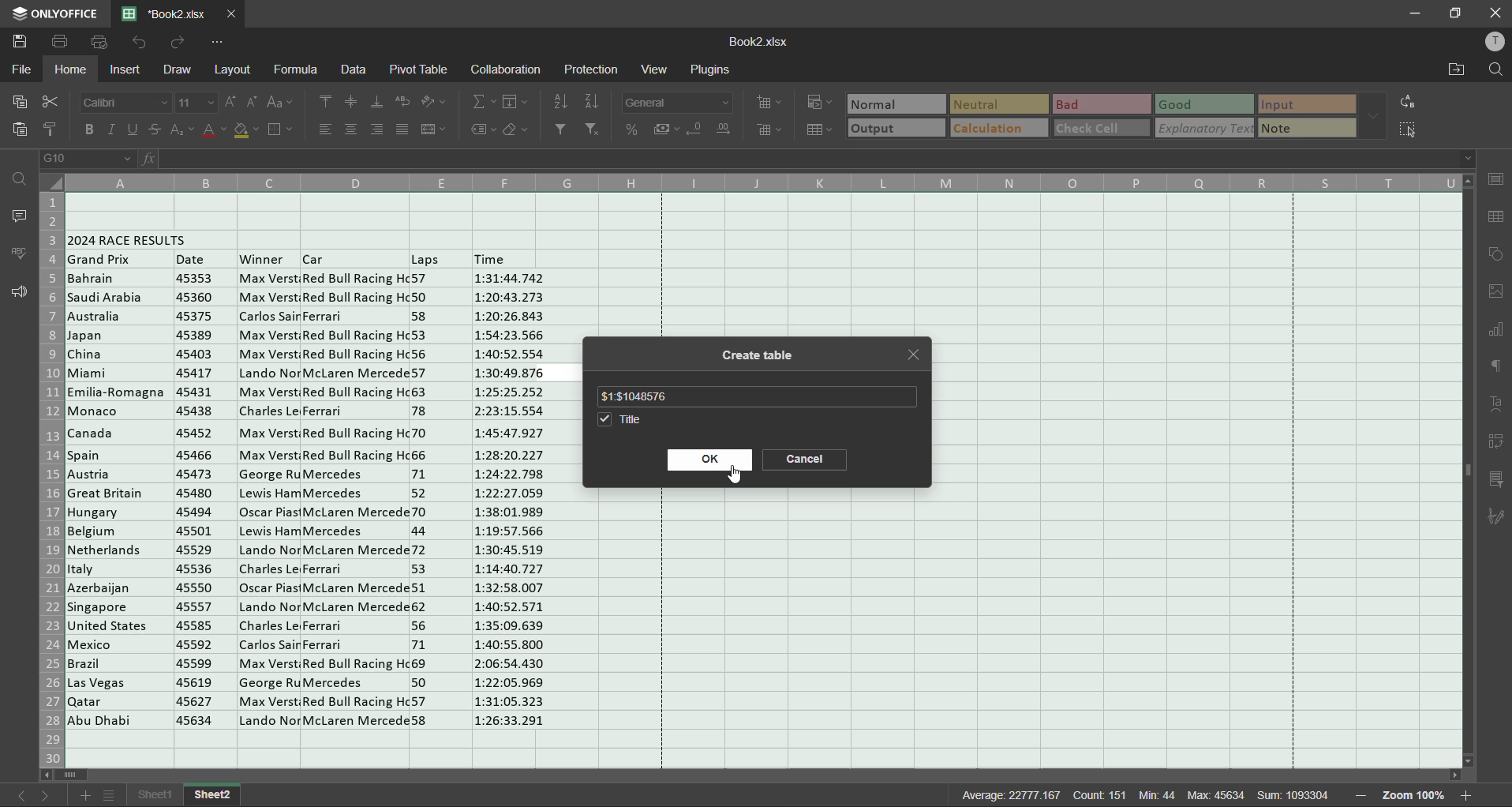 The height and width of the screenshot is (807, 1512). Describe the element at coordinates (1493, 220) in the screenshot. I see `table` at that location.